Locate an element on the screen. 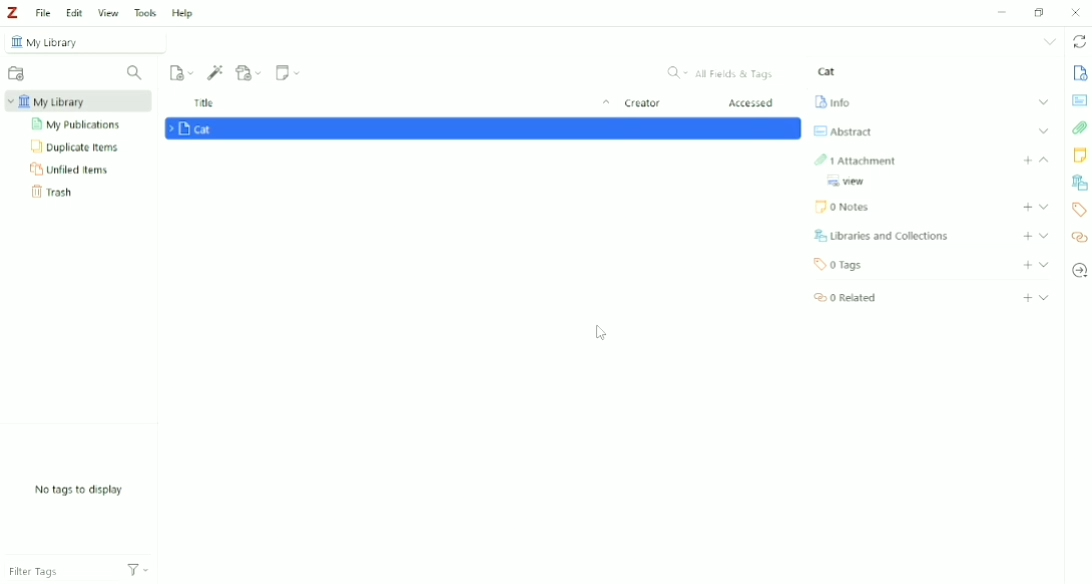 This screenshot has width=1092, height=584. Minimize is located at coordinates (999, 13).